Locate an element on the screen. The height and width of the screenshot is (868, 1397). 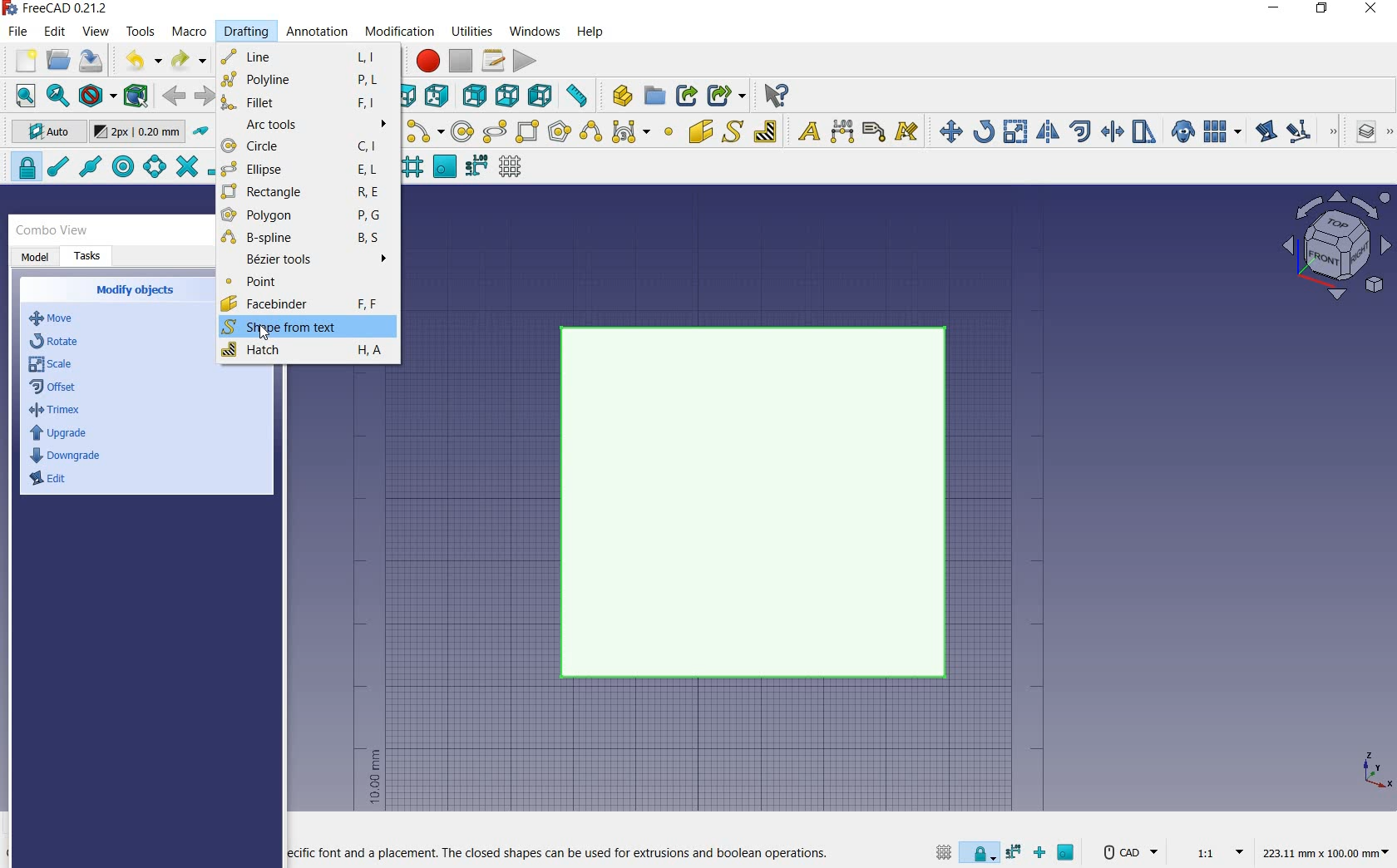
move is located at coordinates (61, 319).